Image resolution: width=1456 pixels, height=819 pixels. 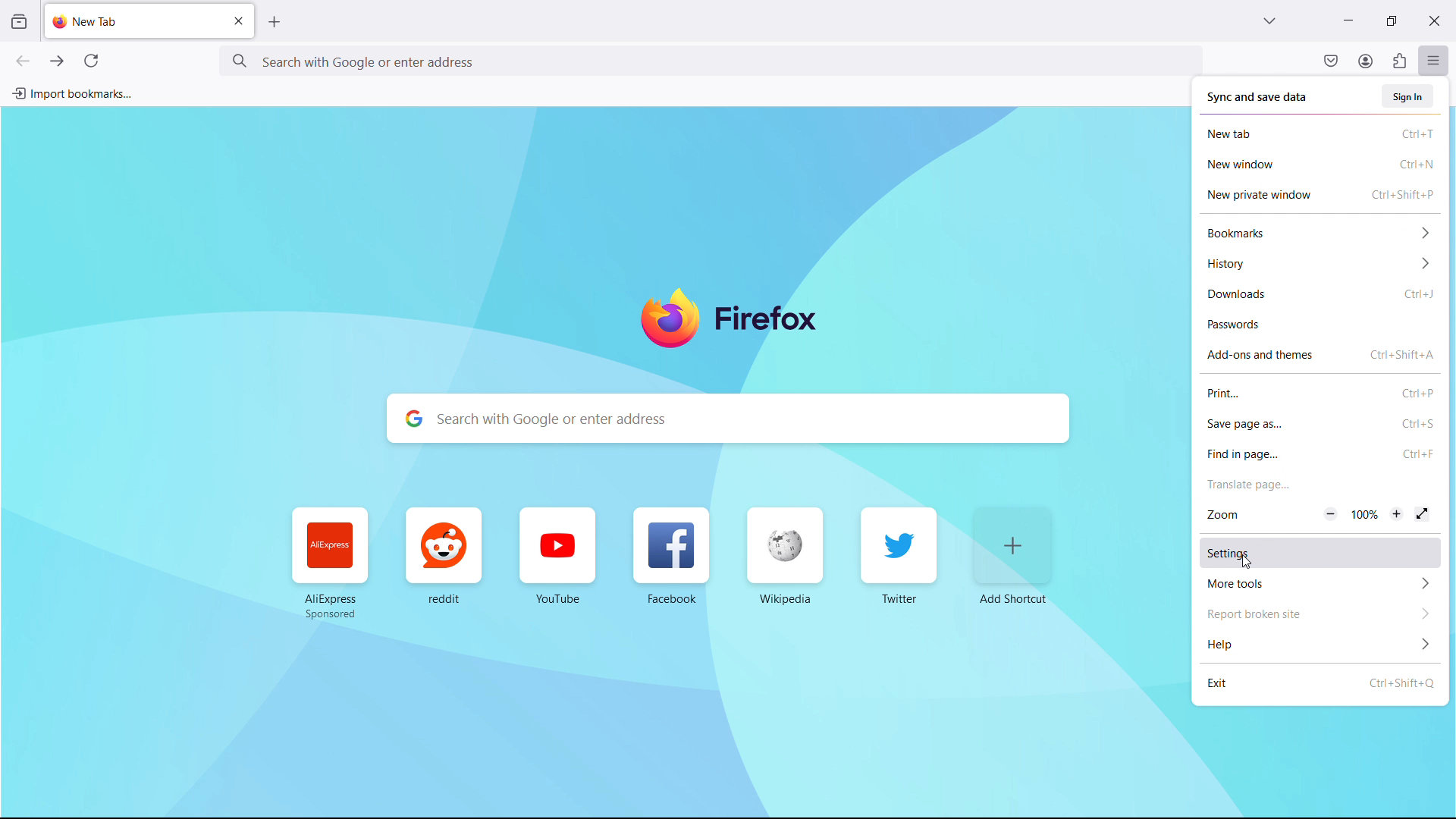 What do you see at coordinates (1321, 354) in the screenshot?
I see `add-ons and themes` at bounding box center [1321, 354].